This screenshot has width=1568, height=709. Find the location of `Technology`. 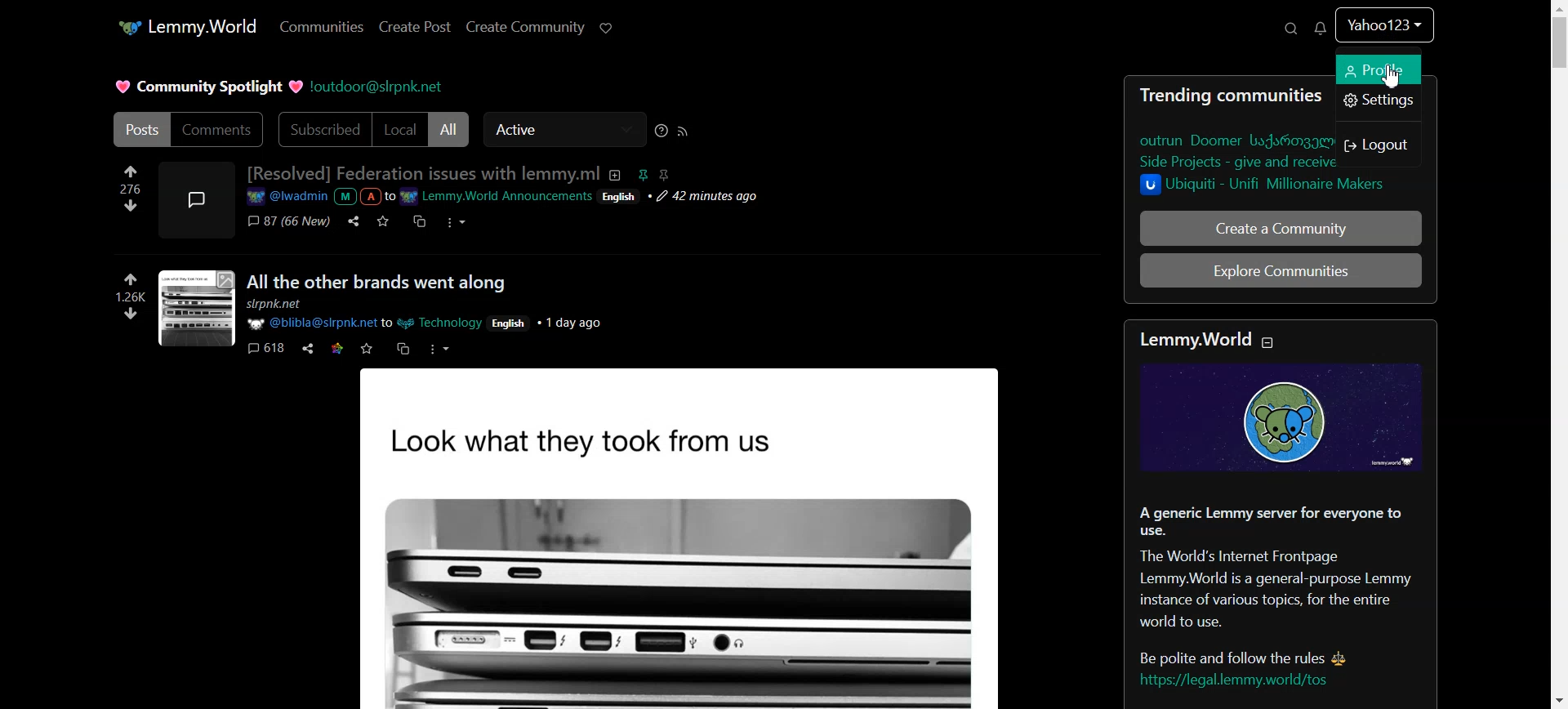

Technology is located at coordinates (443, 323).